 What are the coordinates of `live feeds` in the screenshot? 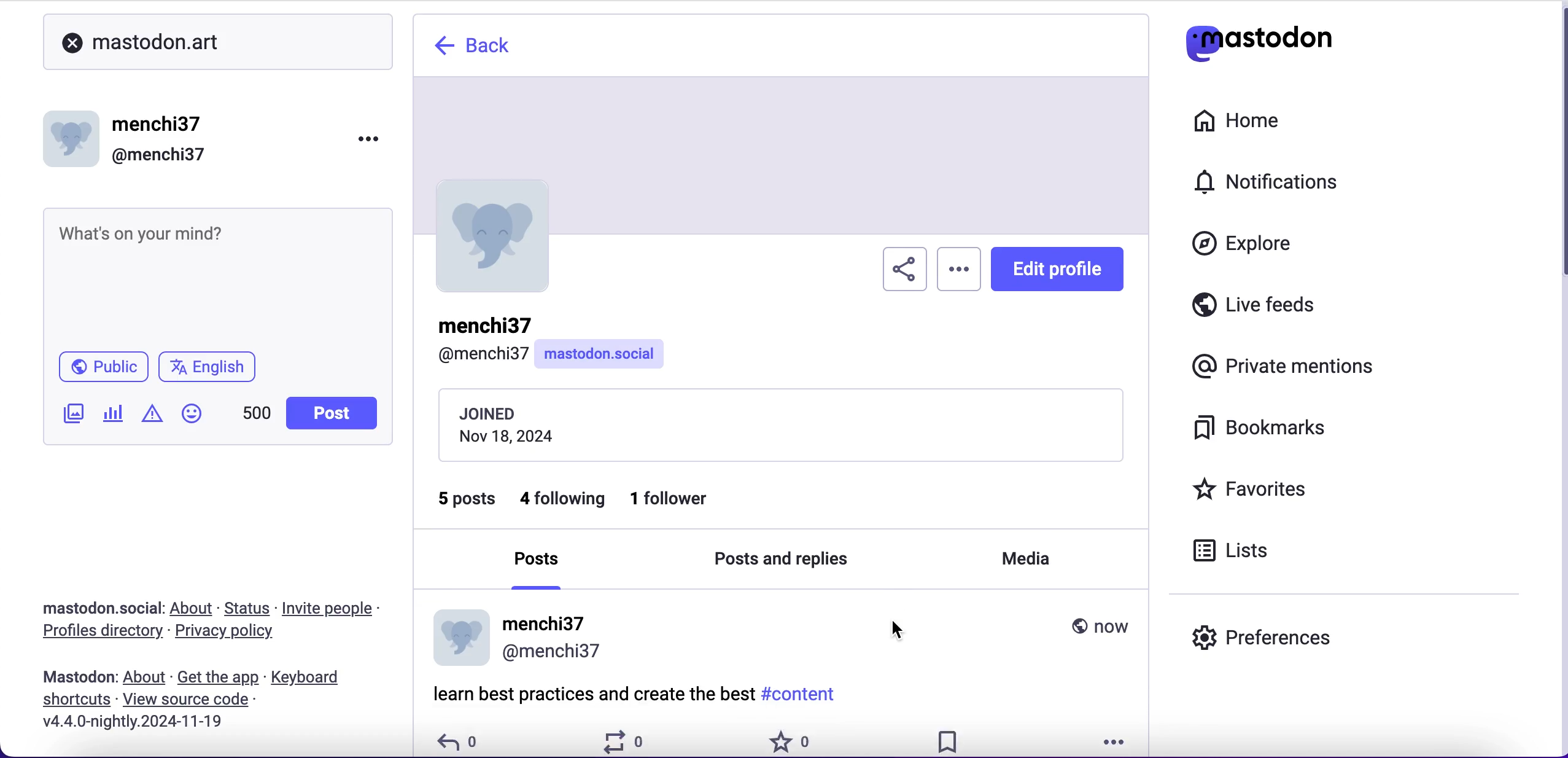 It's located at (1297, 305).